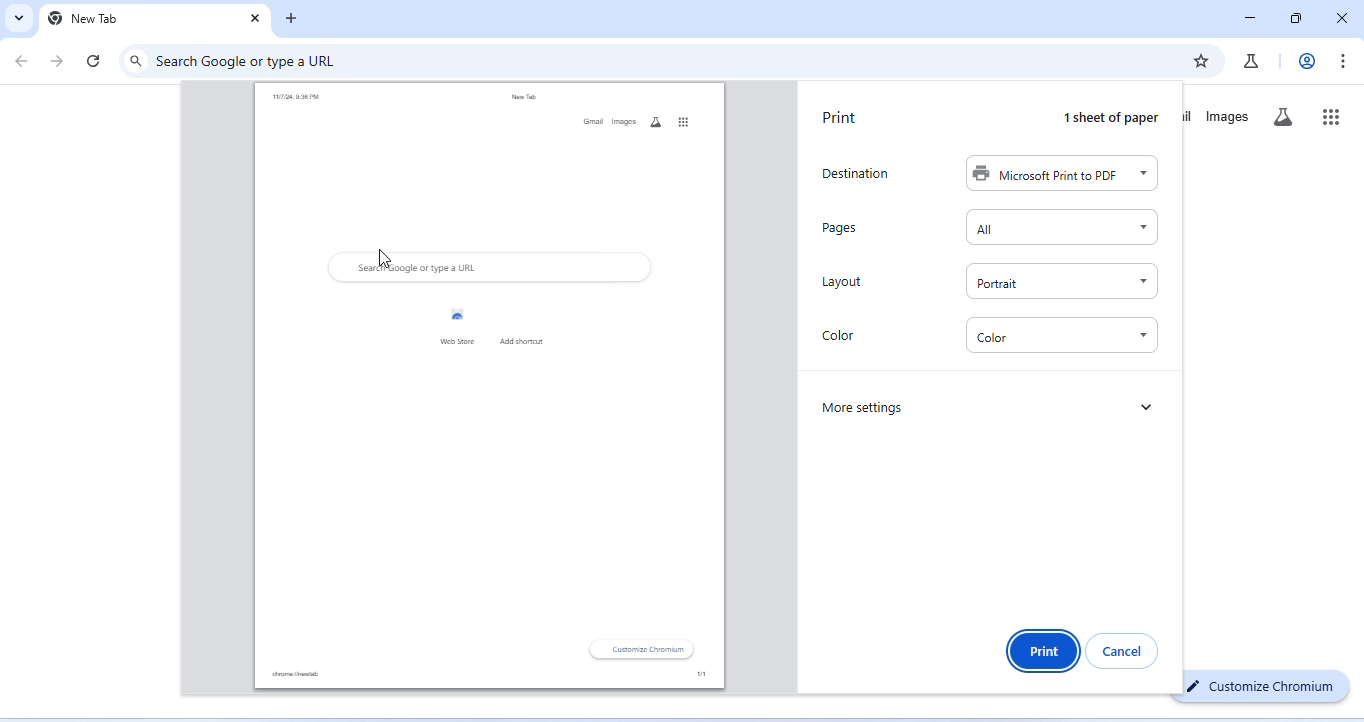 This screenshot has height=722, width=1364. Describe the element at coordinates (1105, 118) in the screenshot. I see `1 sheet of paper` at that location.